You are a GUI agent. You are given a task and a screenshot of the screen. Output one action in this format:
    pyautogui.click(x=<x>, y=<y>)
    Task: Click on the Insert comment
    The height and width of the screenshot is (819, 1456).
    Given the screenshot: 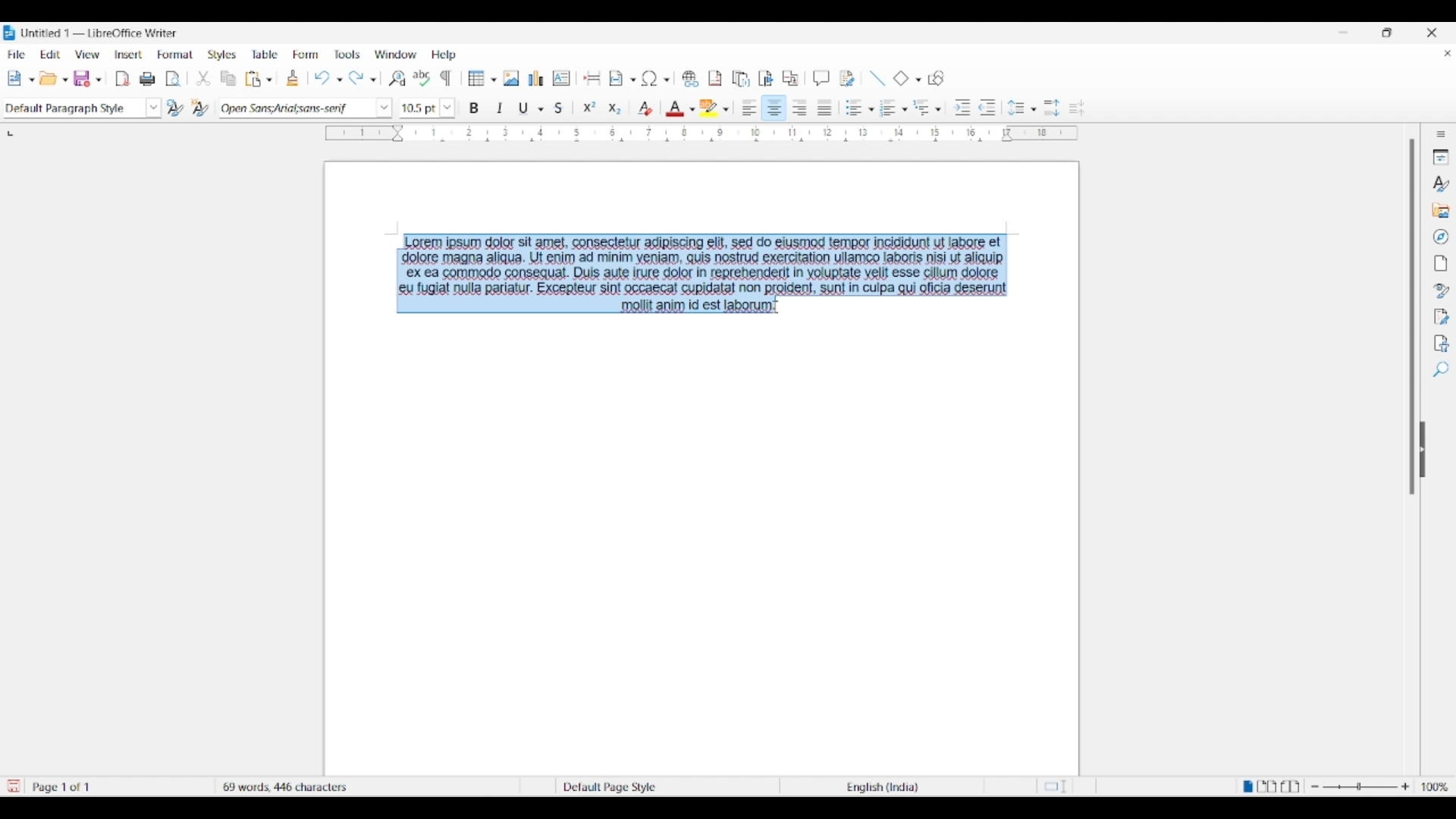 What is the action you would take?
    pyautogui.click(x=821, y=78)
    